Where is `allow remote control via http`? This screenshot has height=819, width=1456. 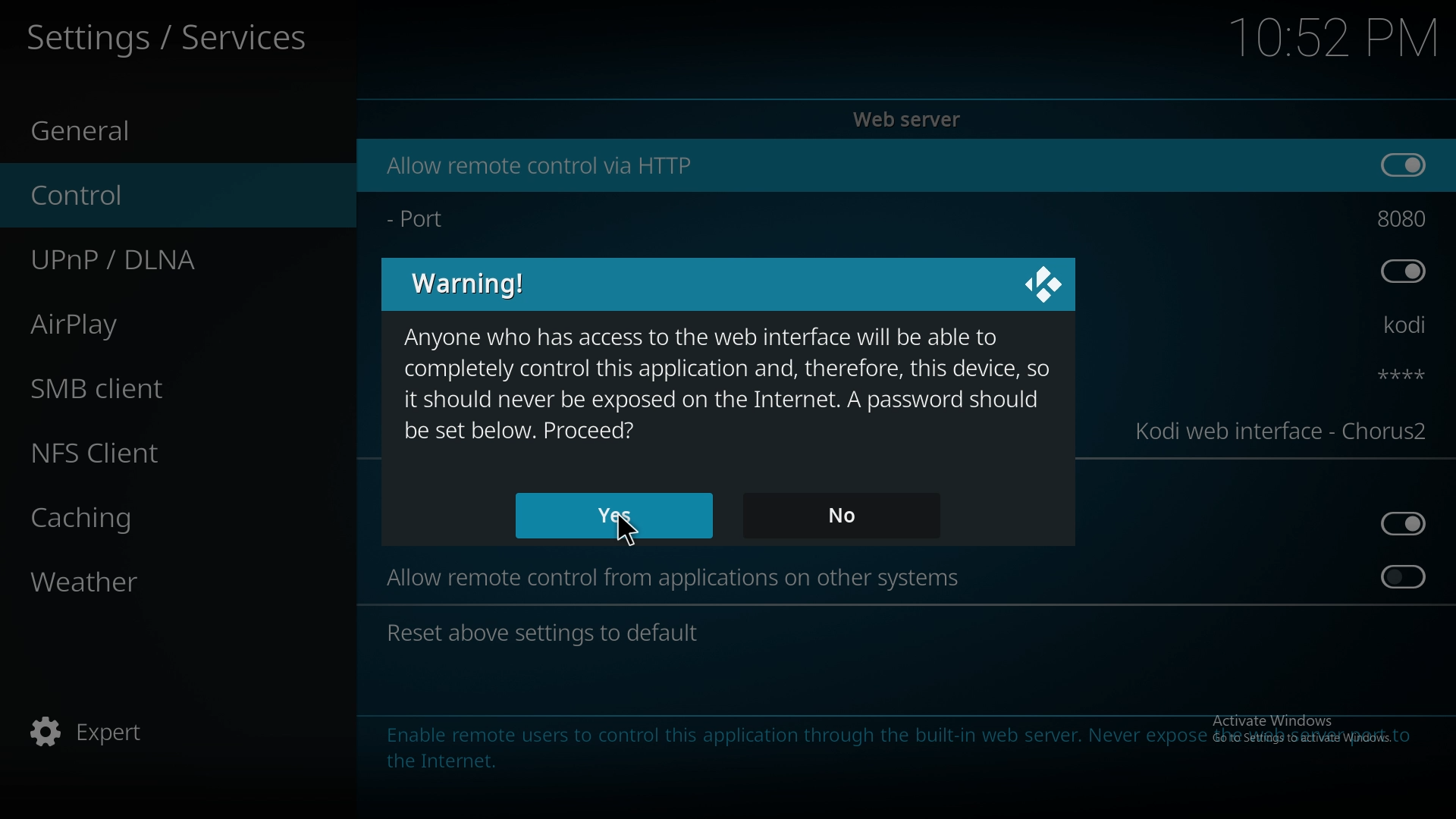
allow remote control via http is located at coordinates (537, 165).